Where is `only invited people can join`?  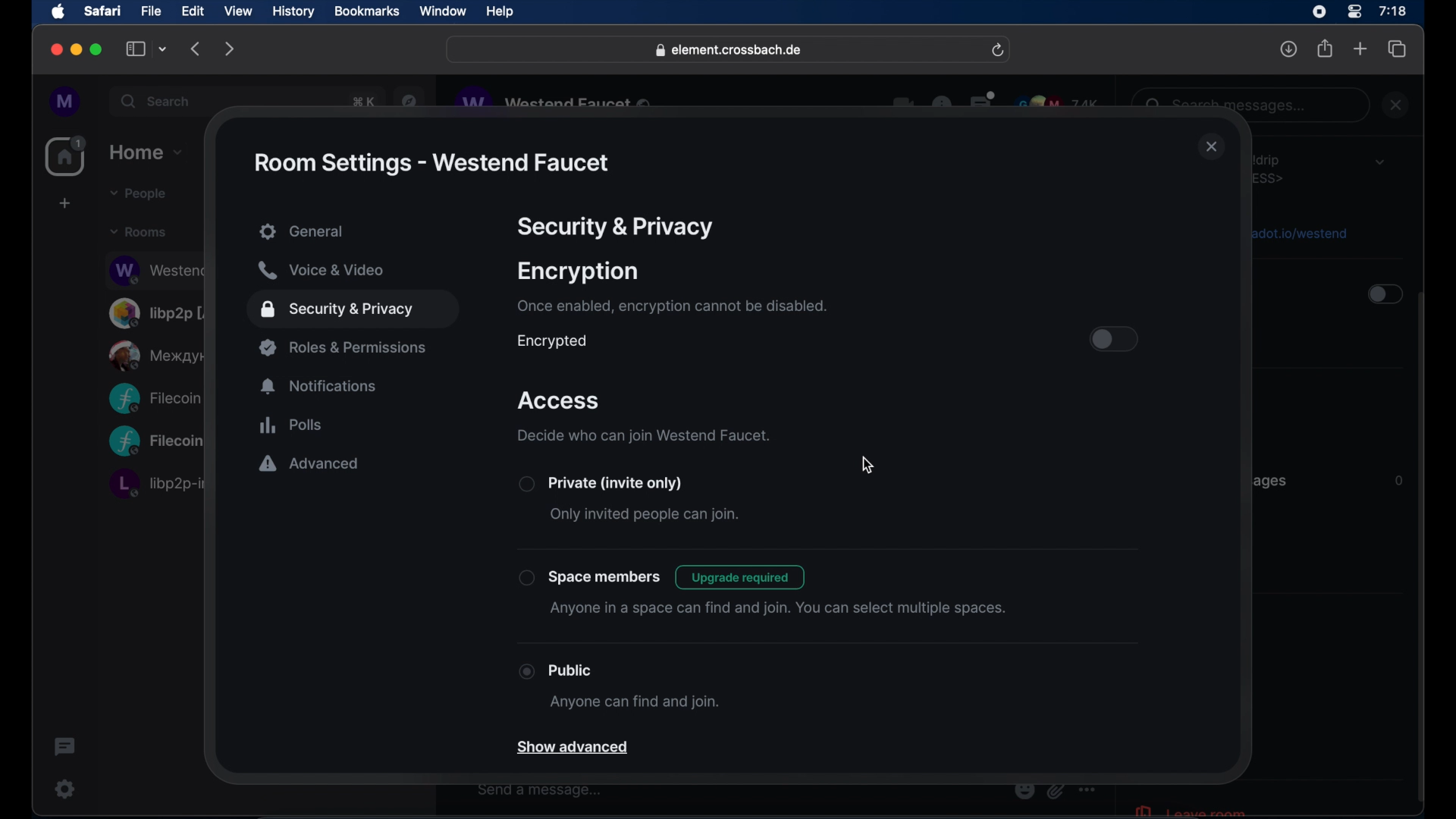
only invited people can join is located at coordinates (644, 516).